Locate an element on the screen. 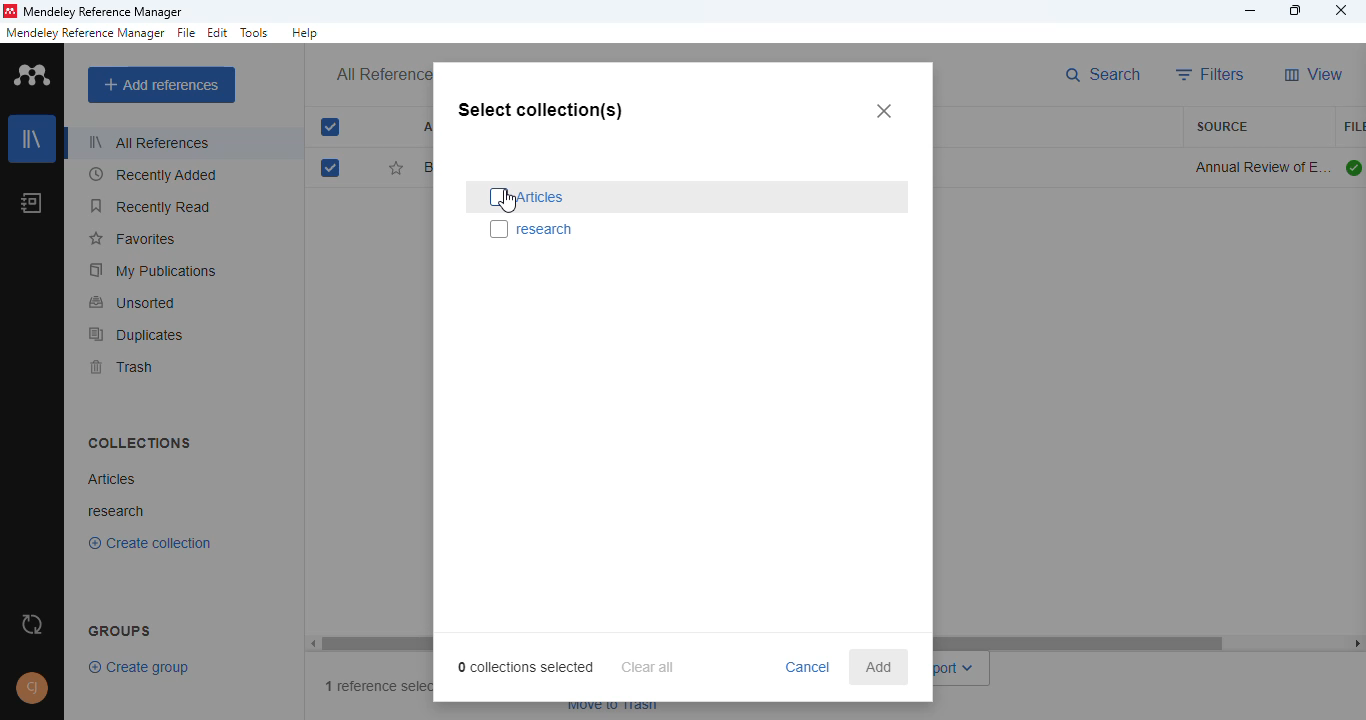  close is located at coordinates (1342, 10).